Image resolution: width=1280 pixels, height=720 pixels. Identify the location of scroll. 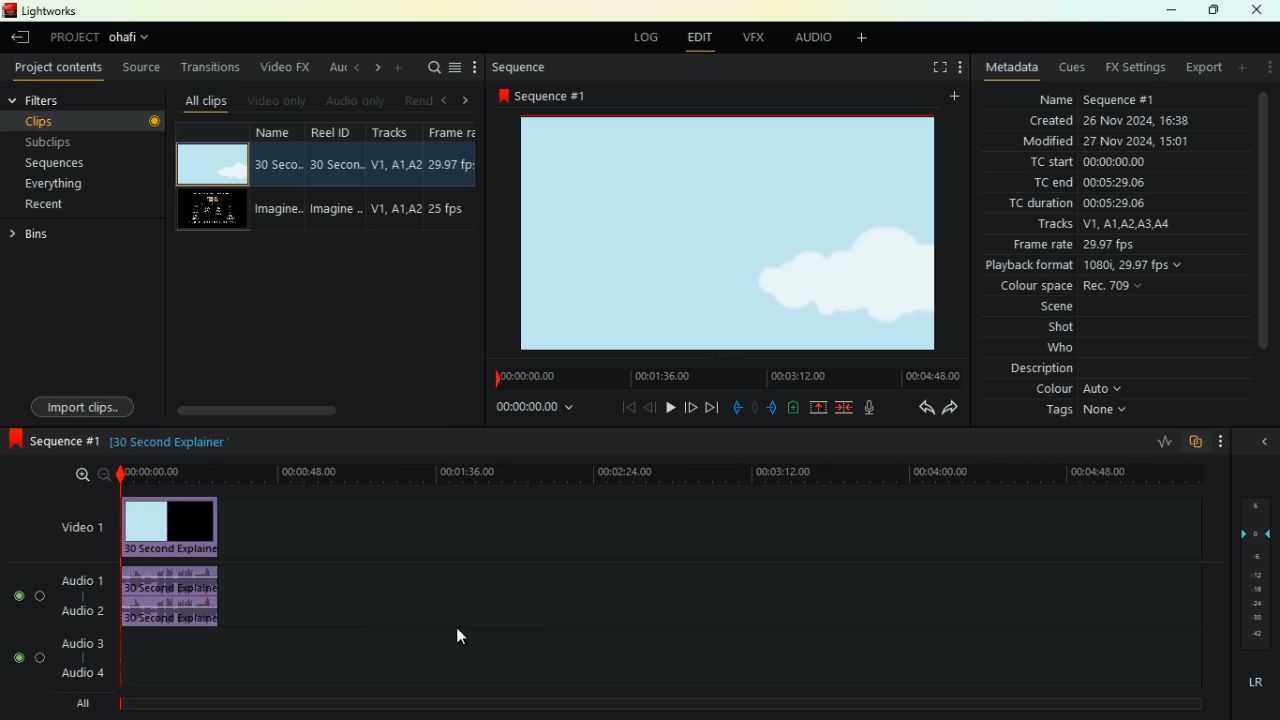
(281, 408).